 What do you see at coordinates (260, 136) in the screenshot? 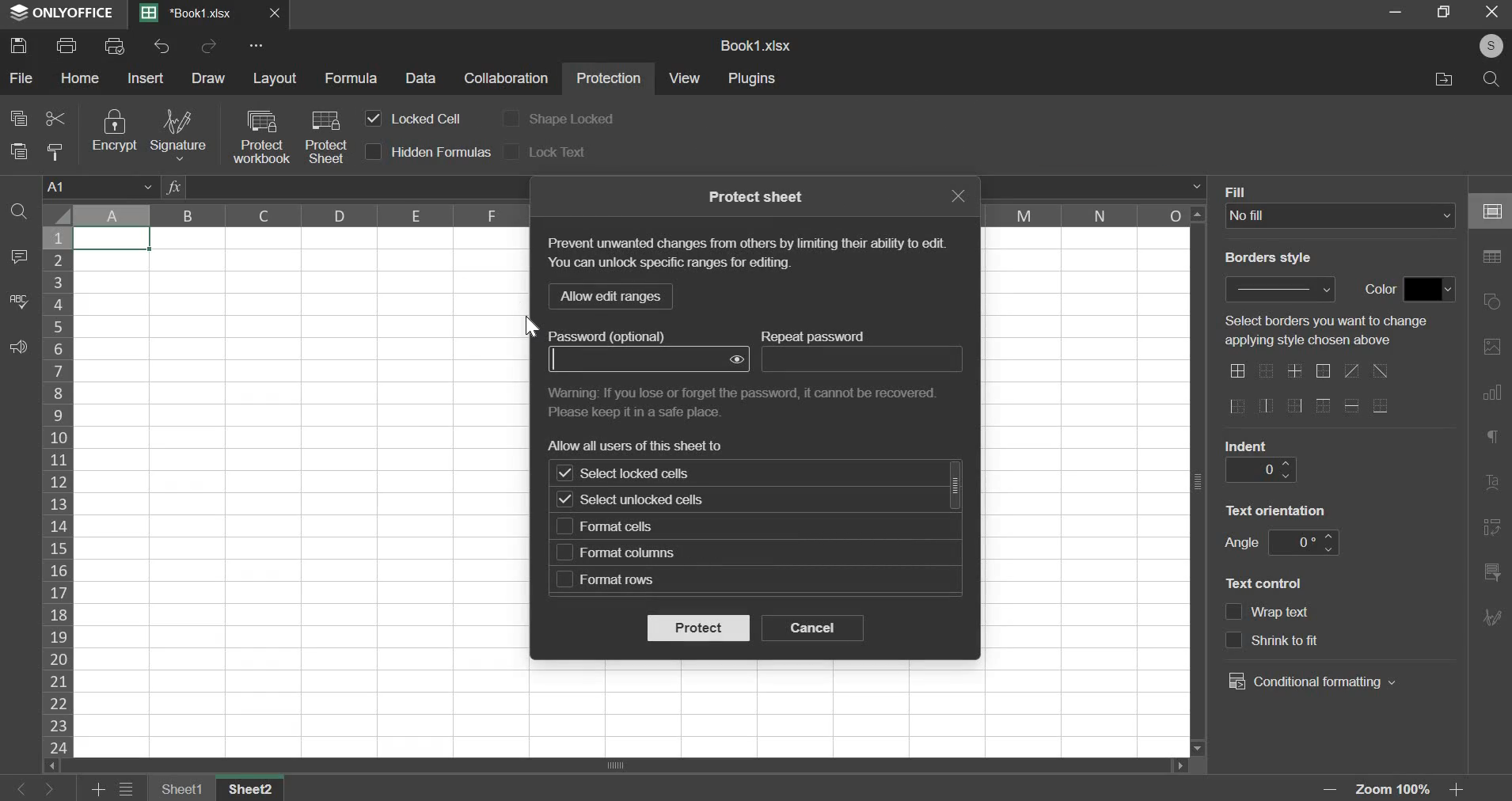
I see `protect workbook` at bounding box center [260, 136].